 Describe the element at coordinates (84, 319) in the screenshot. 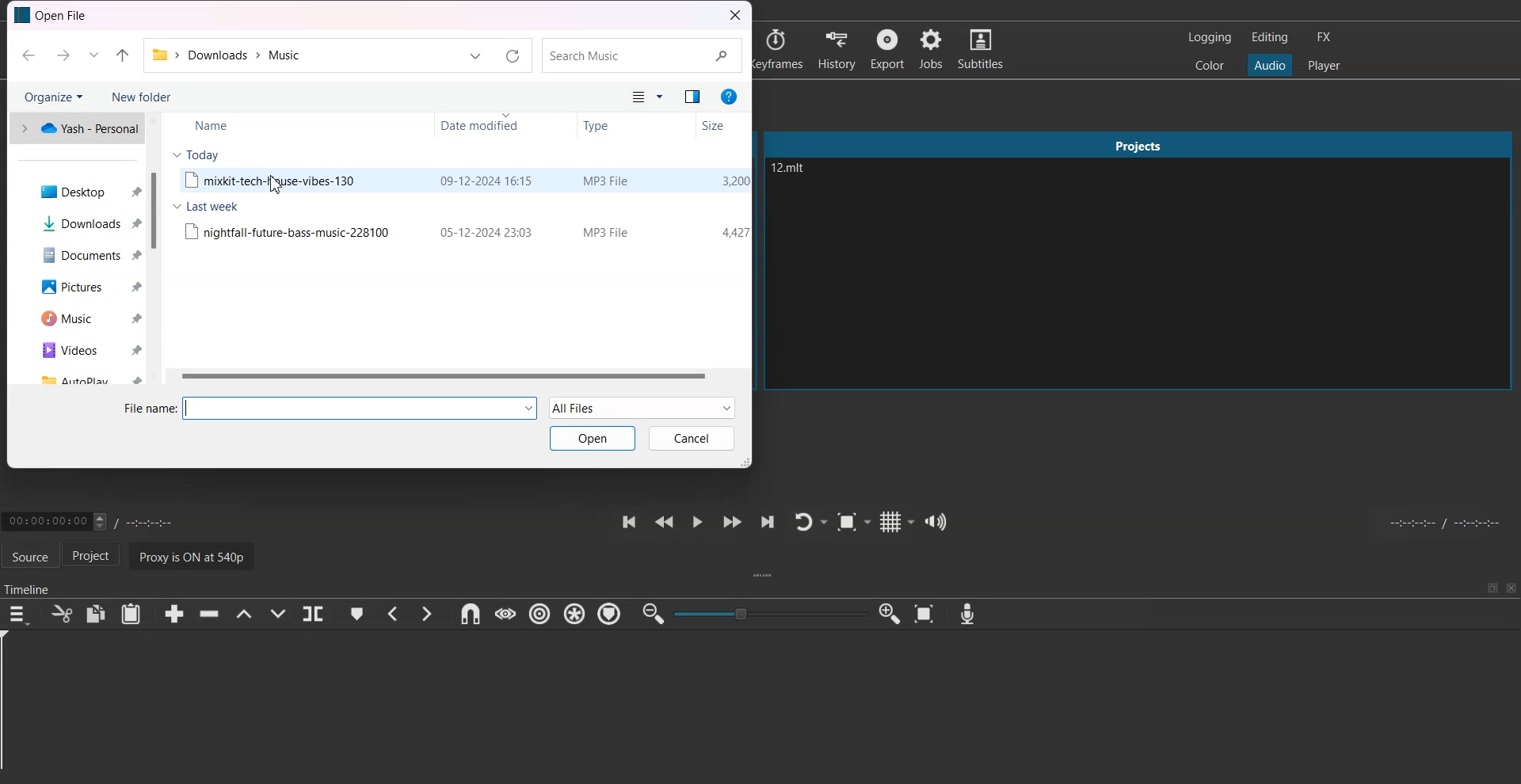

I see `Music` at that location.